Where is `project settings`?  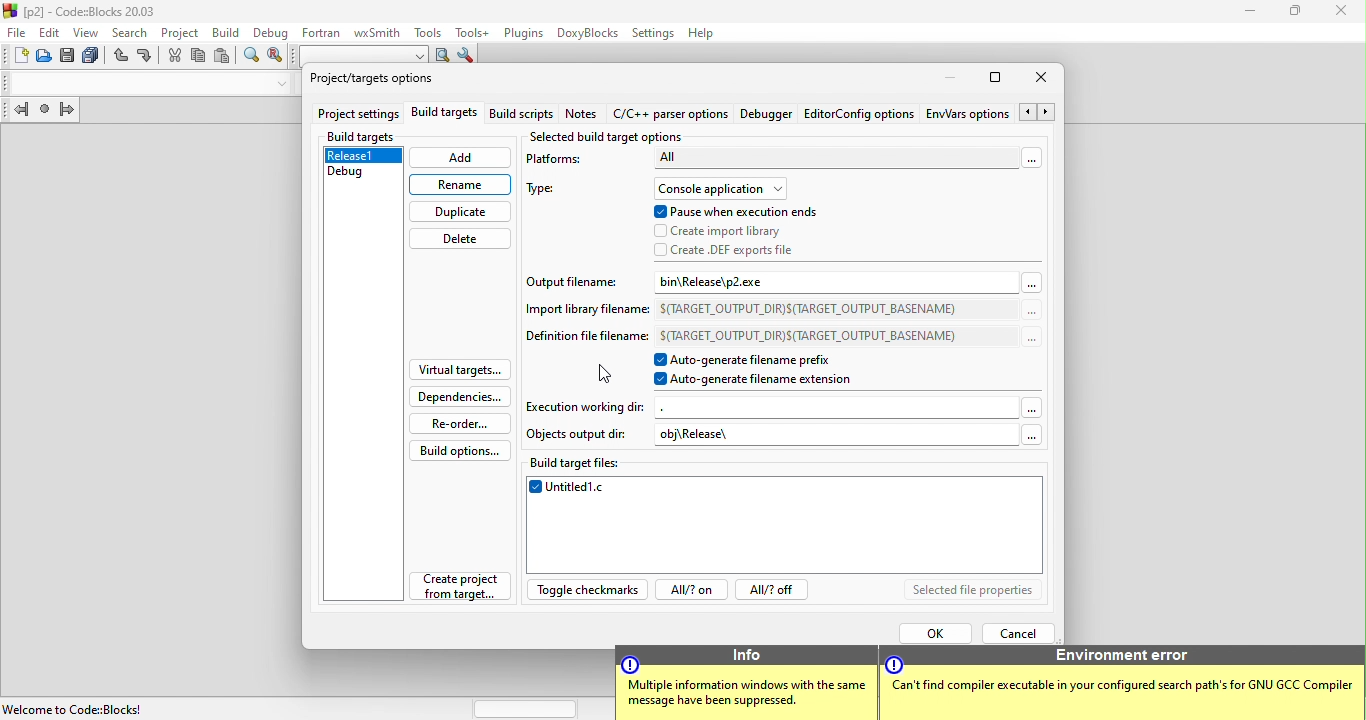
project settings is located at coordinates (358, 115).